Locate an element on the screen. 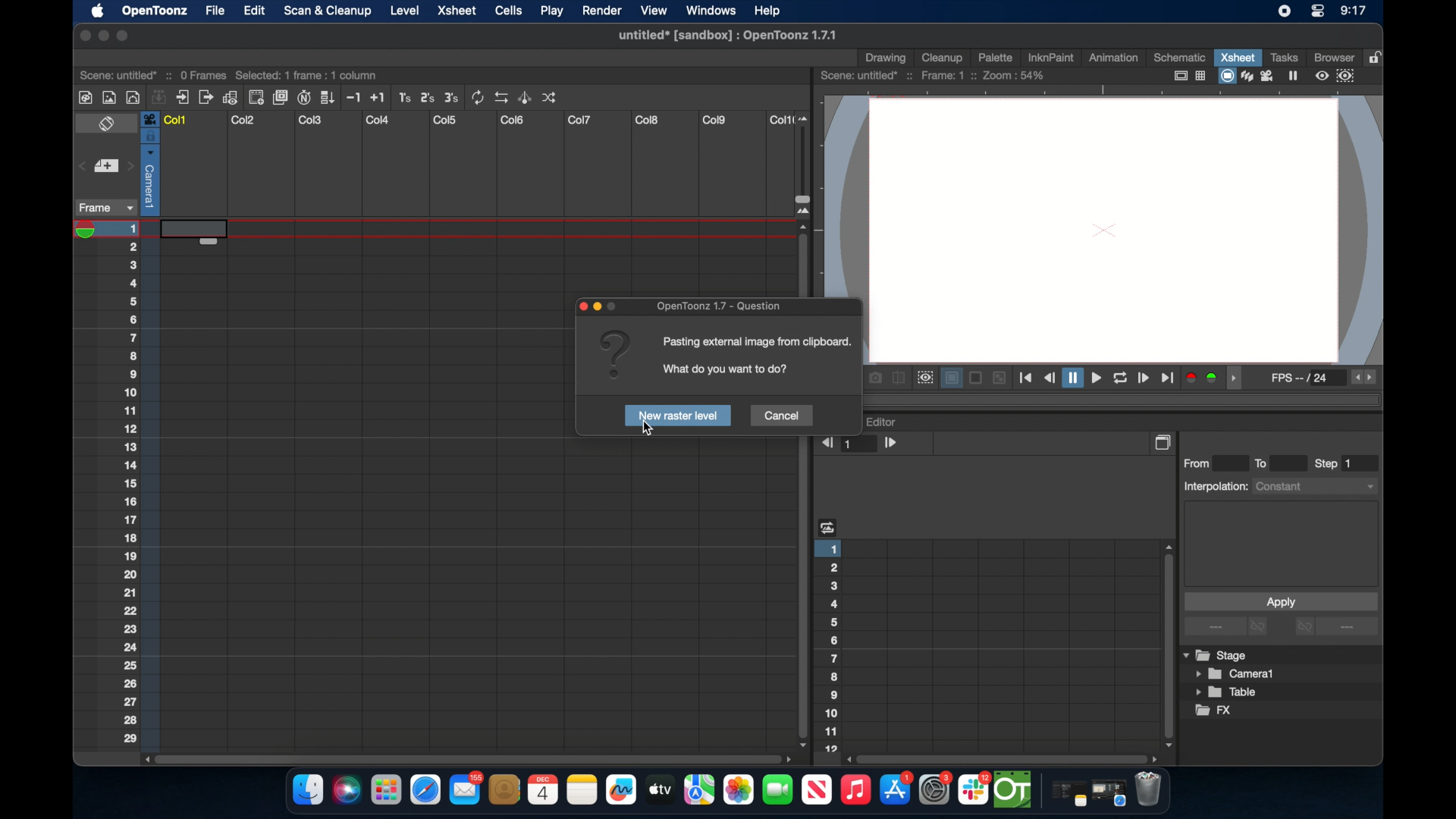  trash is located at coordinates (1148, 791).